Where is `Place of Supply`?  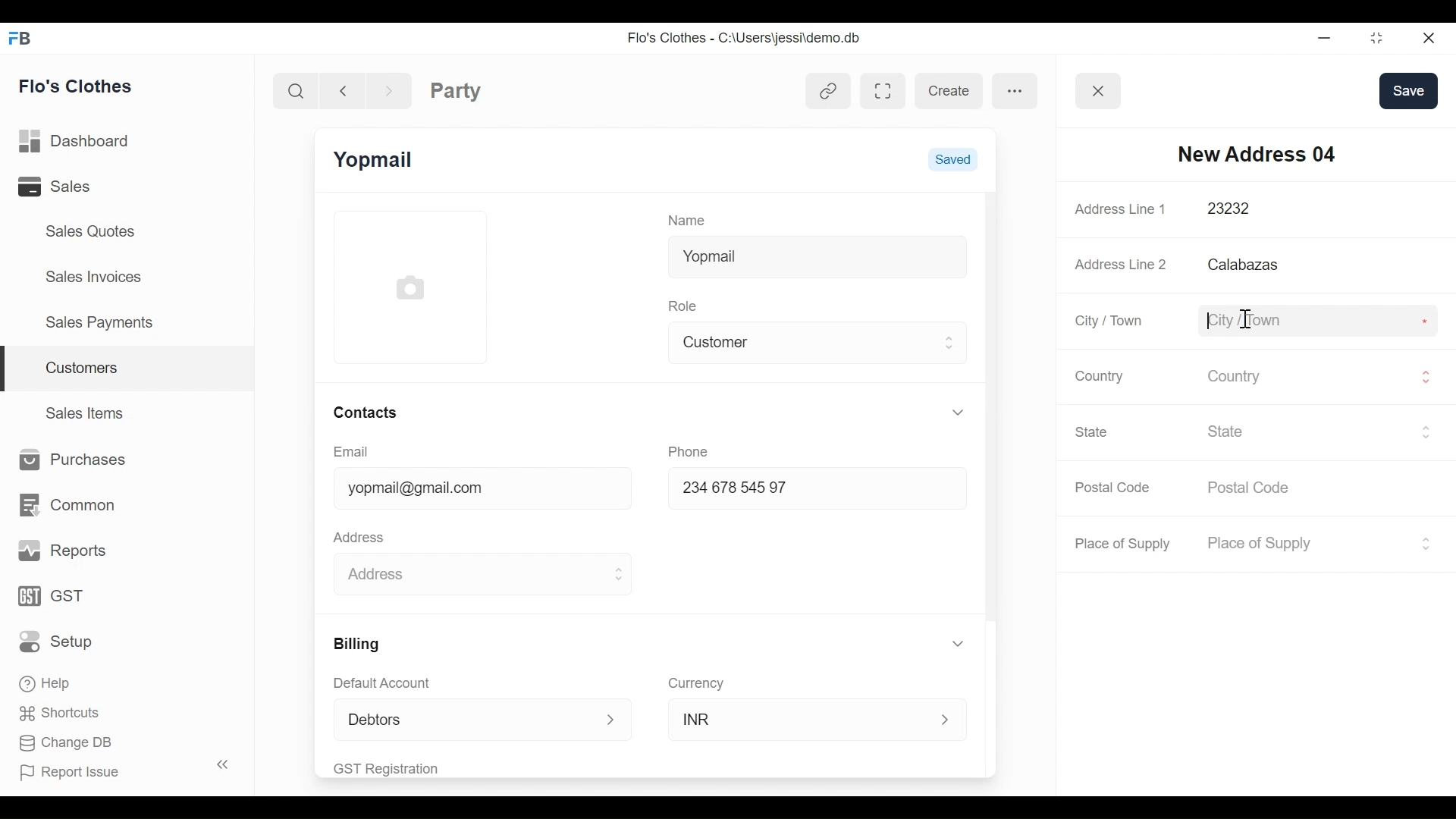 Place of Supply is located at coordinates (1125, 544).